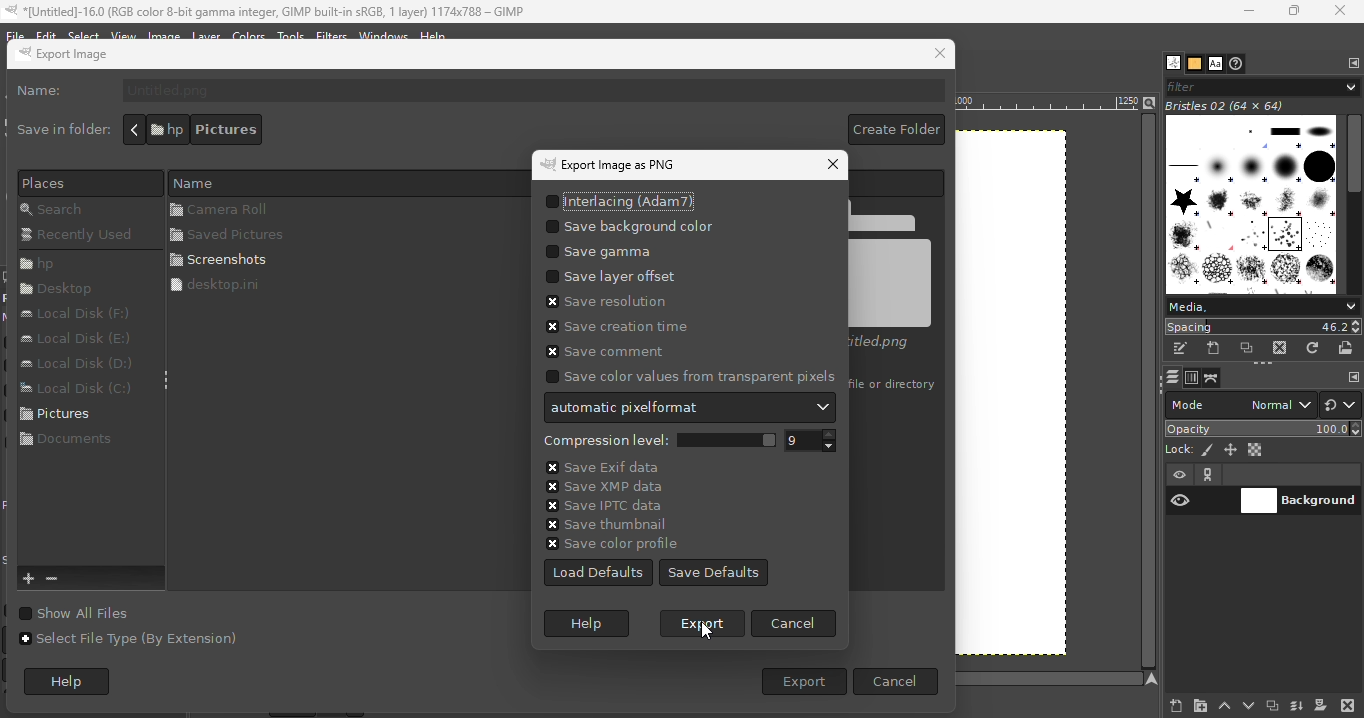 The width and height of the screenshot is (1364, 718). I want to click on Recently used, so click(81, 237).